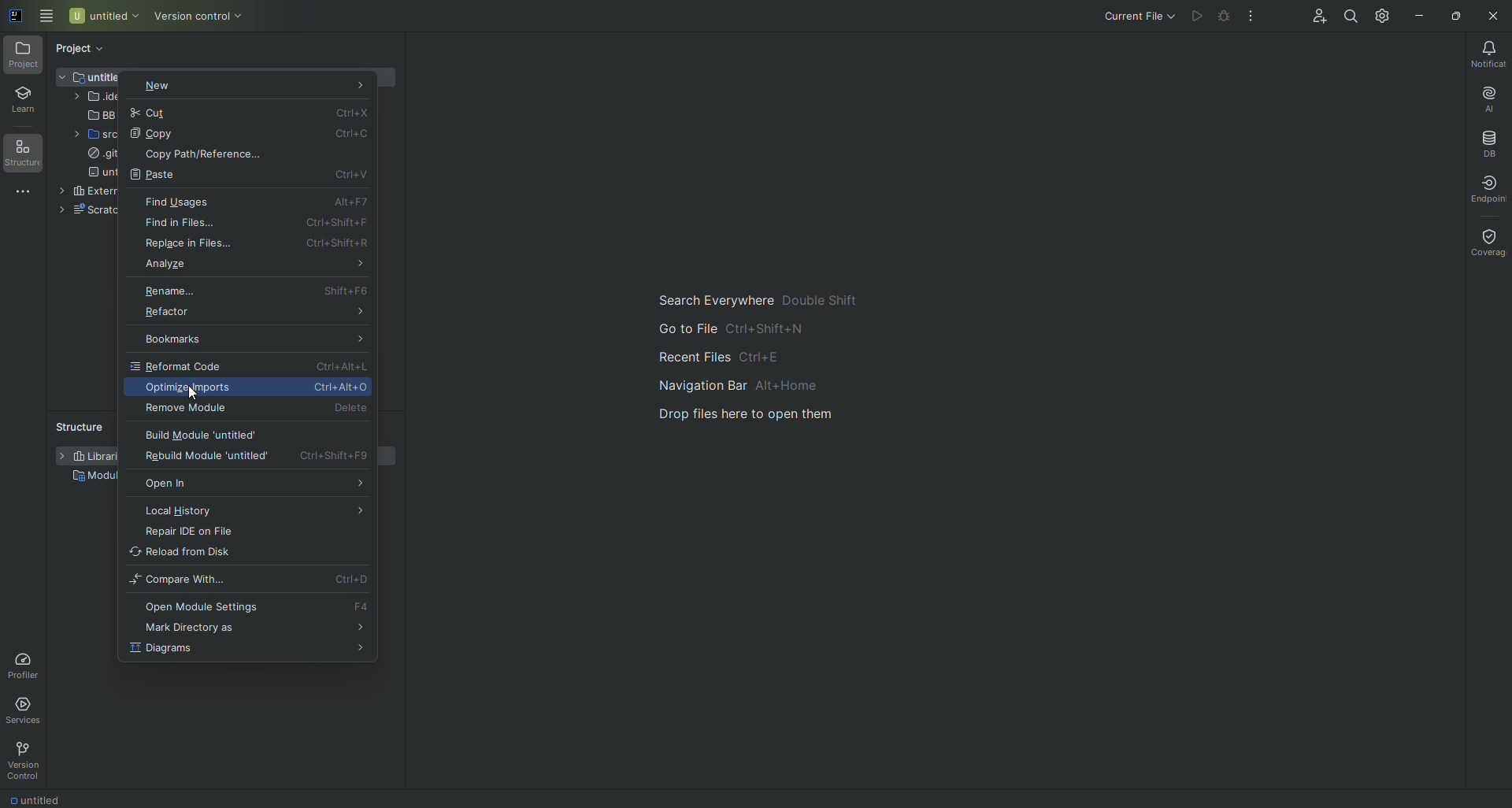 The width and height of the screenshot is (1512, 808). I want to click on Main guide to search and navigate the files., so click(746, 362).